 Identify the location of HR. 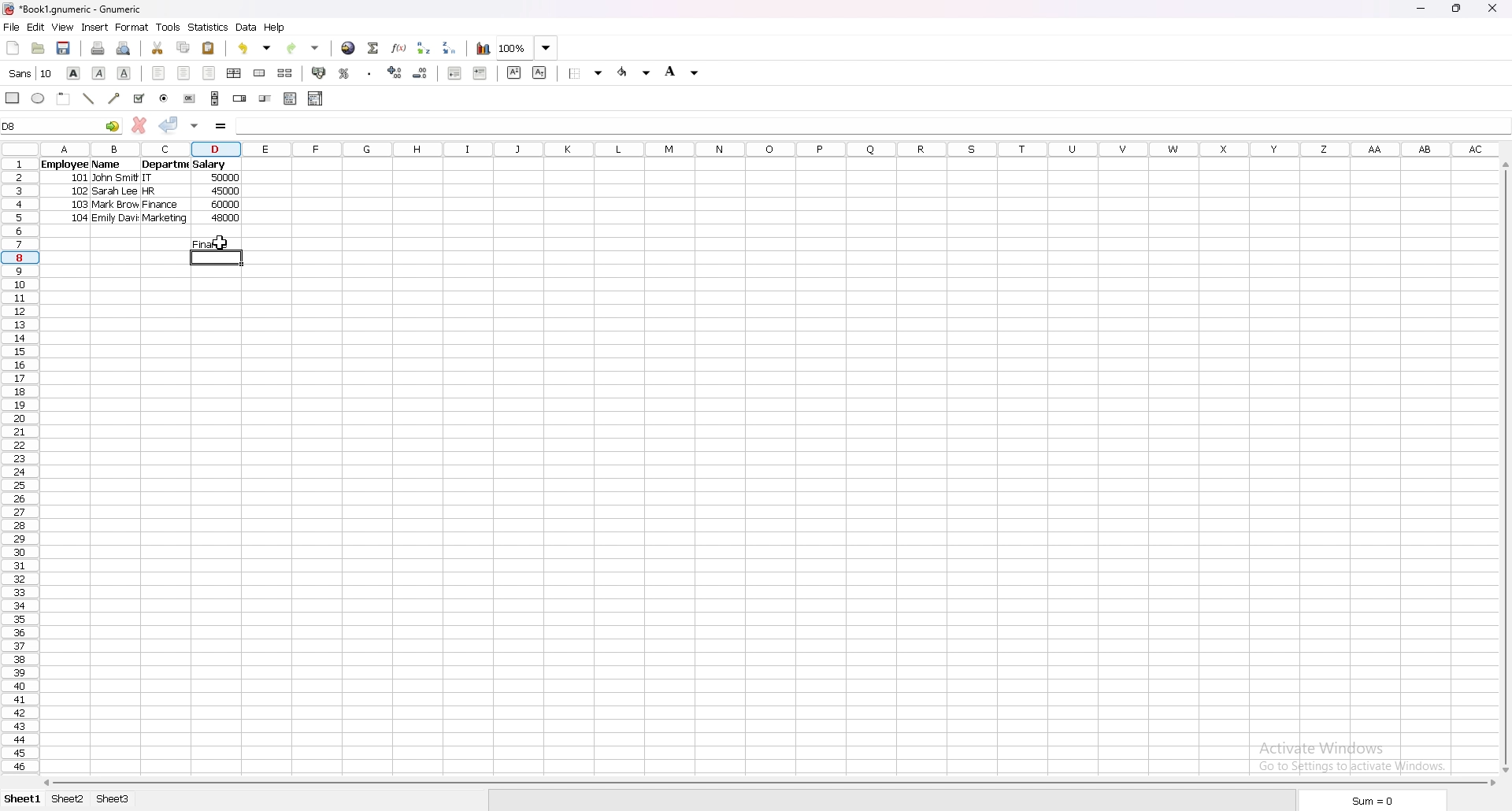
(159, 193).